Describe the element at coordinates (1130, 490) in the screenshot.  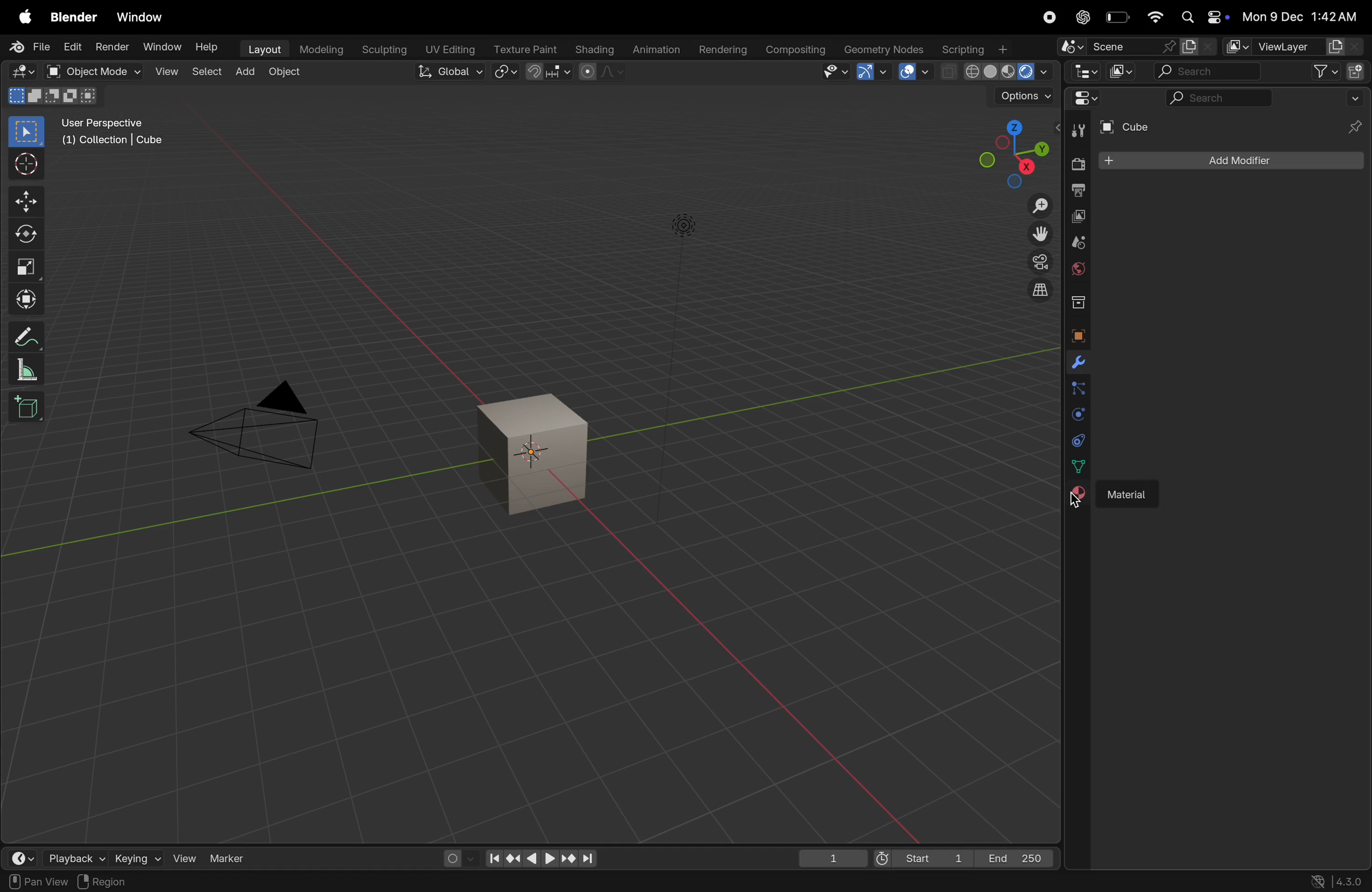
I see `material` at that location.